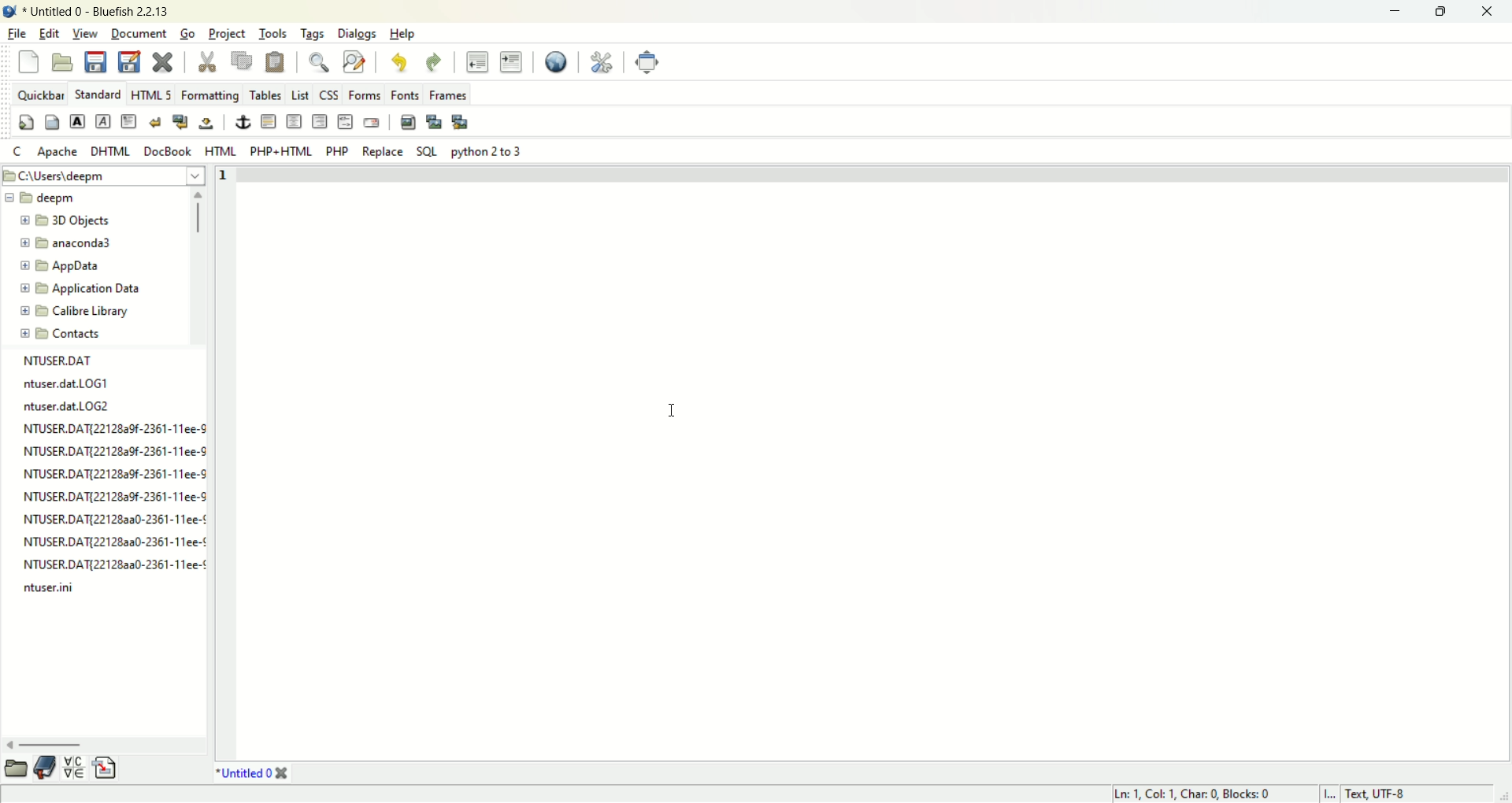  I want to click on input thumbnail, so click(434, 122).